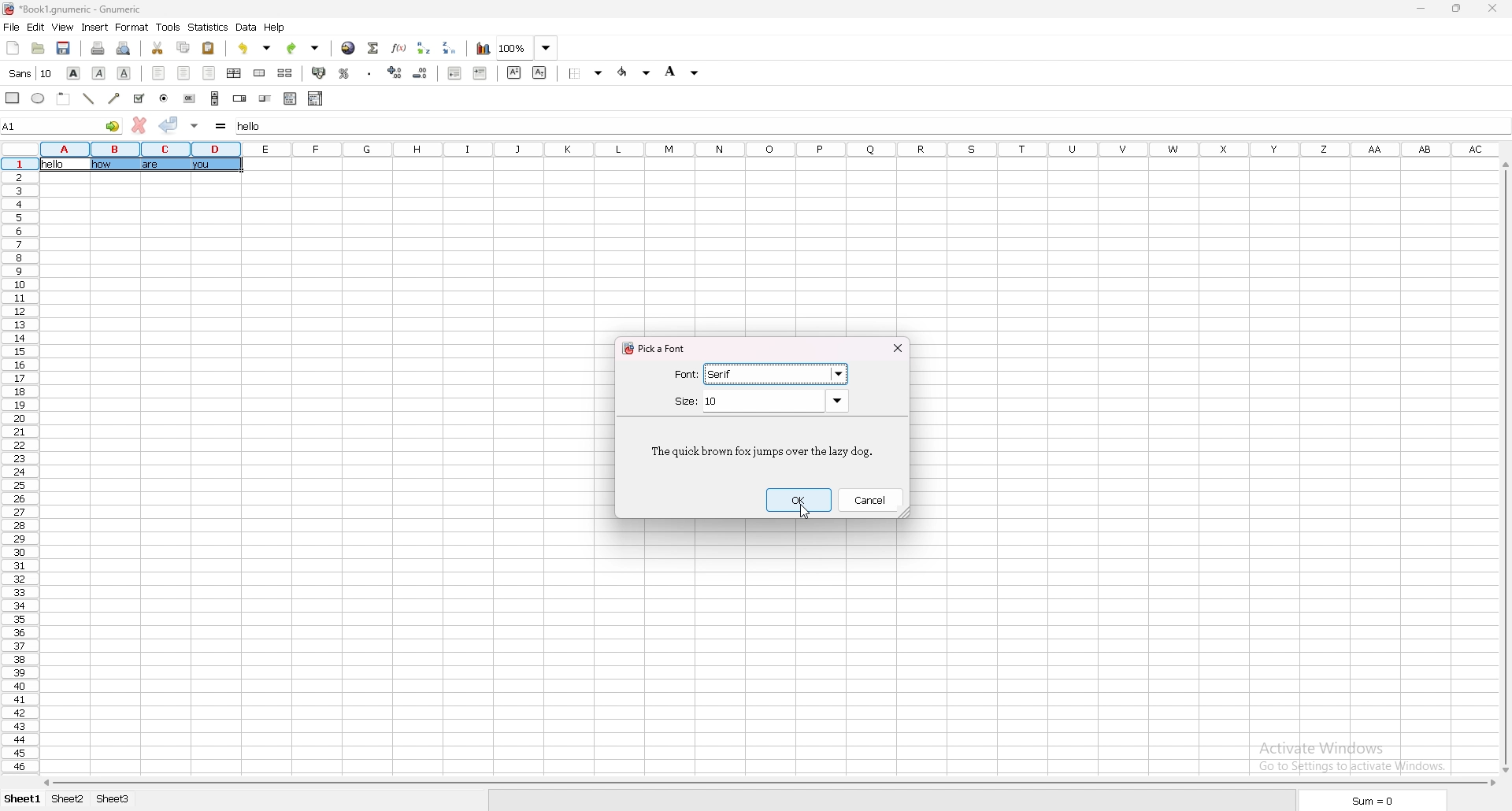 The image size is (1512, 811). Describe the element at coordinates (19, 164) in the screenshot. I see `selected cell row` at that location.